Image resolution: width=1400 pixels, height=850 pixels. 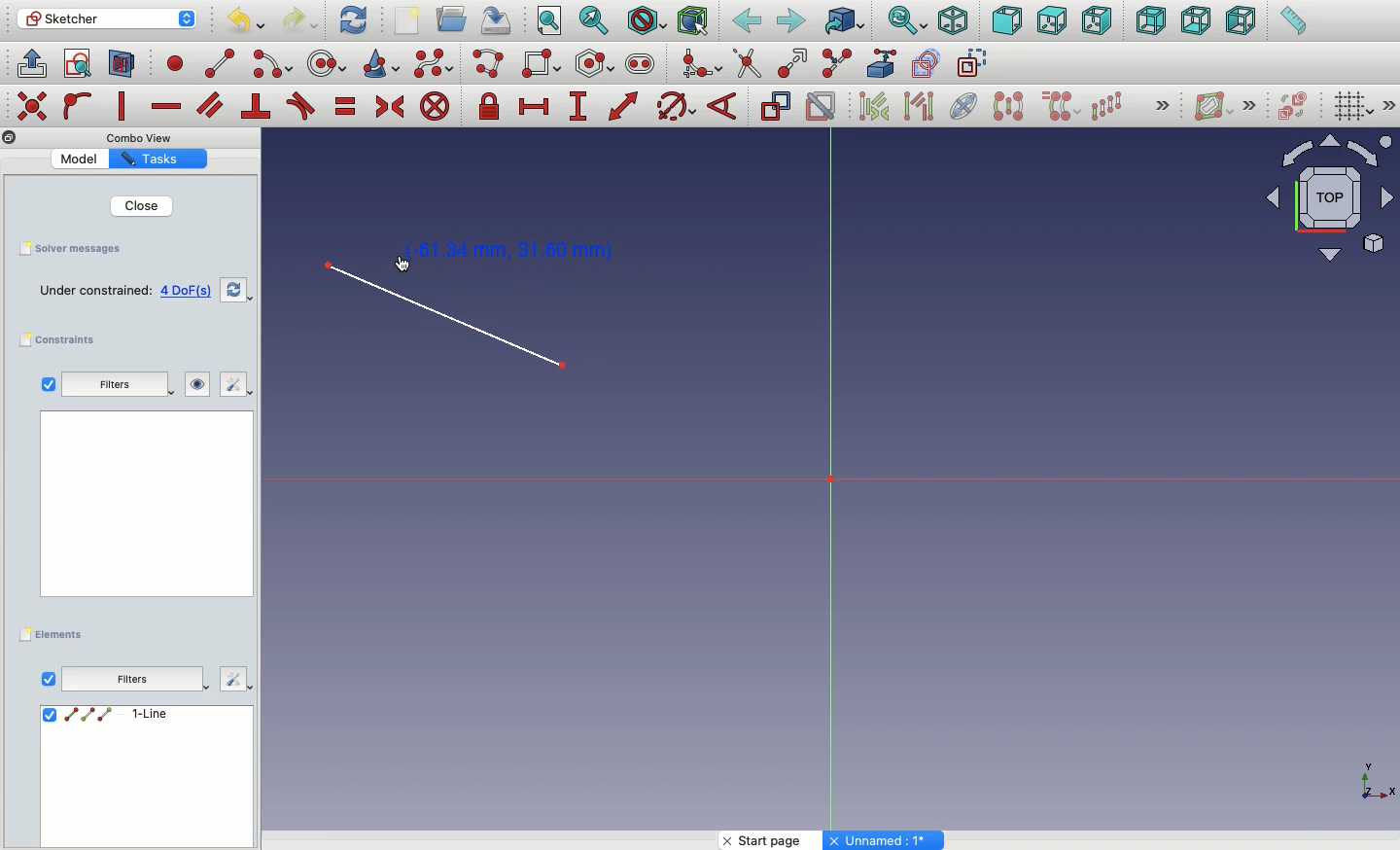 I want to click on , so click(x=235, y=681).